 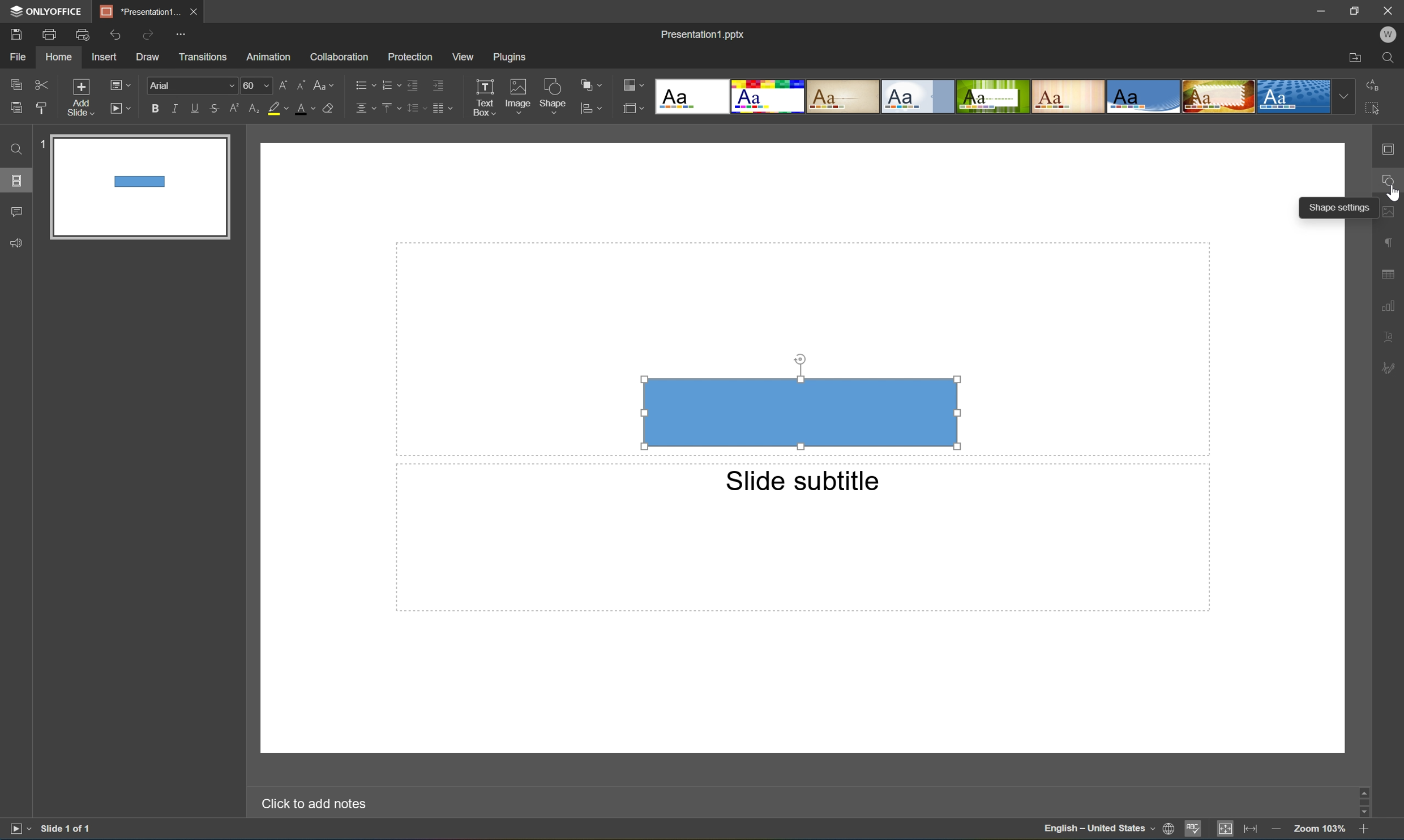 What do you see at coordinates (250, 109) in the screenshot?
I see `Subscript` at bounding box center [250, 109].